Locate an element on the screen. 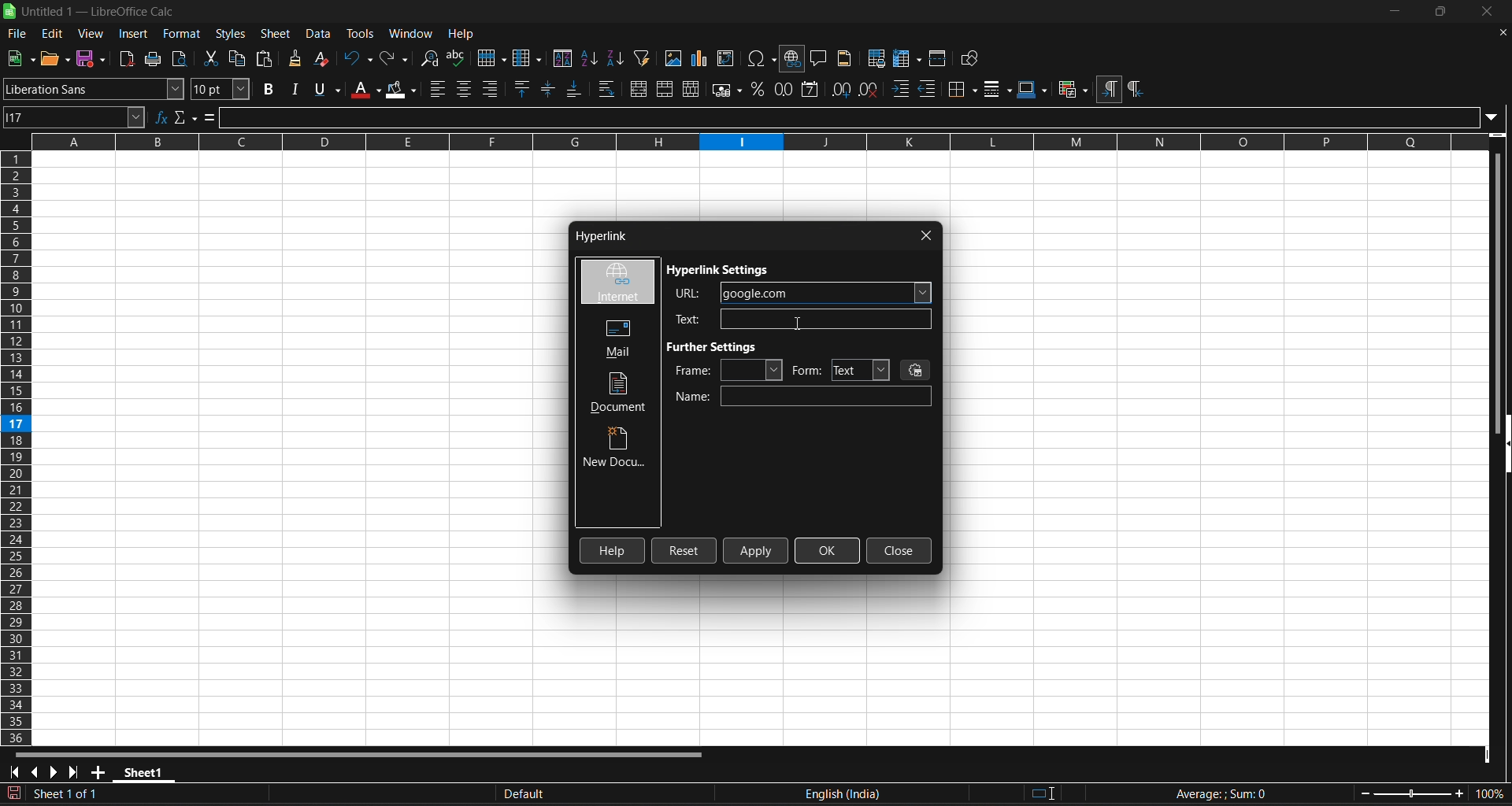 The width and height of the screenshot is (1512, 806). file is located at coordinates (17, 35).